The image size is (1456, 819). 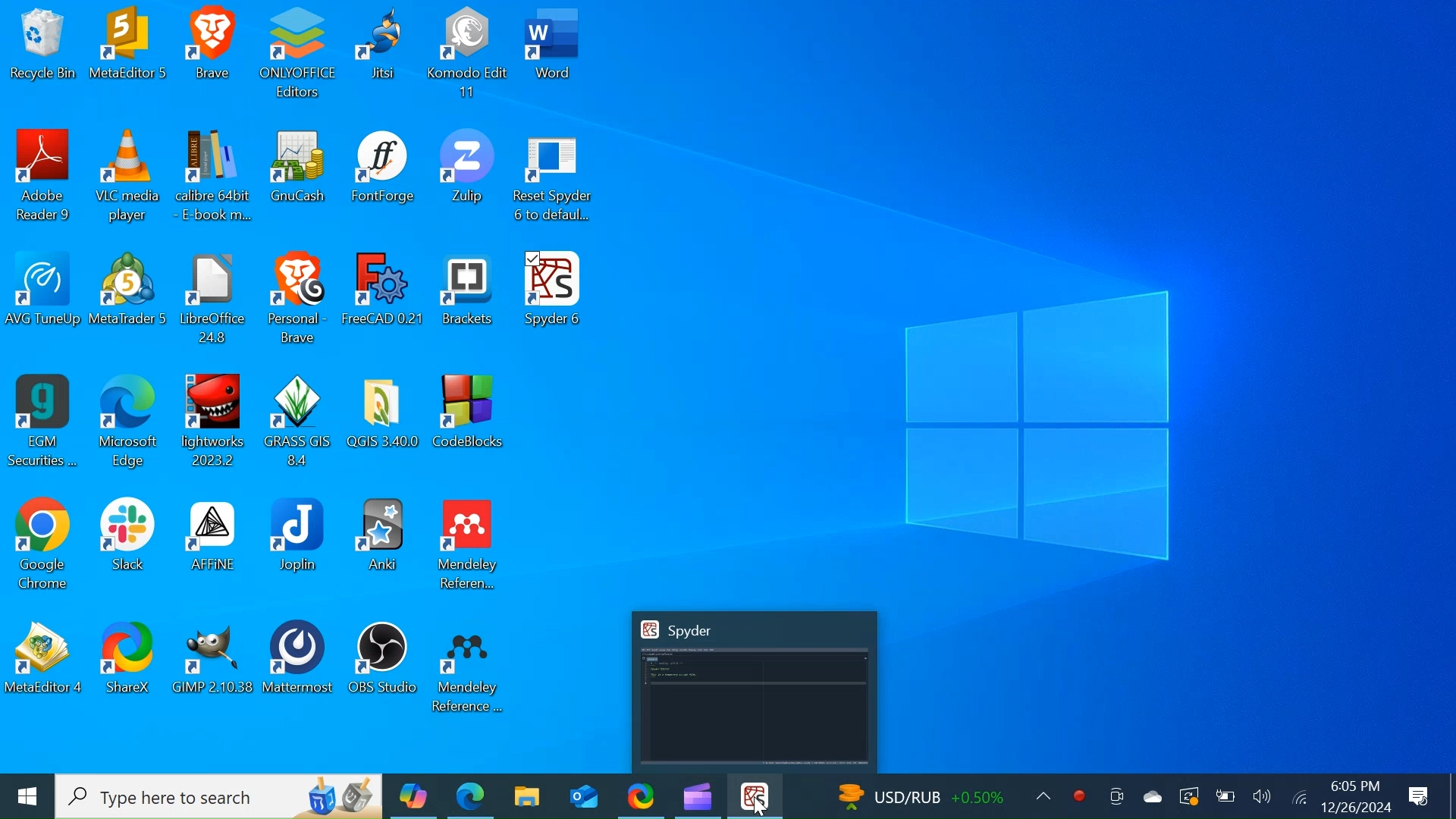 What do you see at coordinates (756, 796) in the screenshot?
I see `Spyder Desktop Icon` at bounding box center [756, 796].